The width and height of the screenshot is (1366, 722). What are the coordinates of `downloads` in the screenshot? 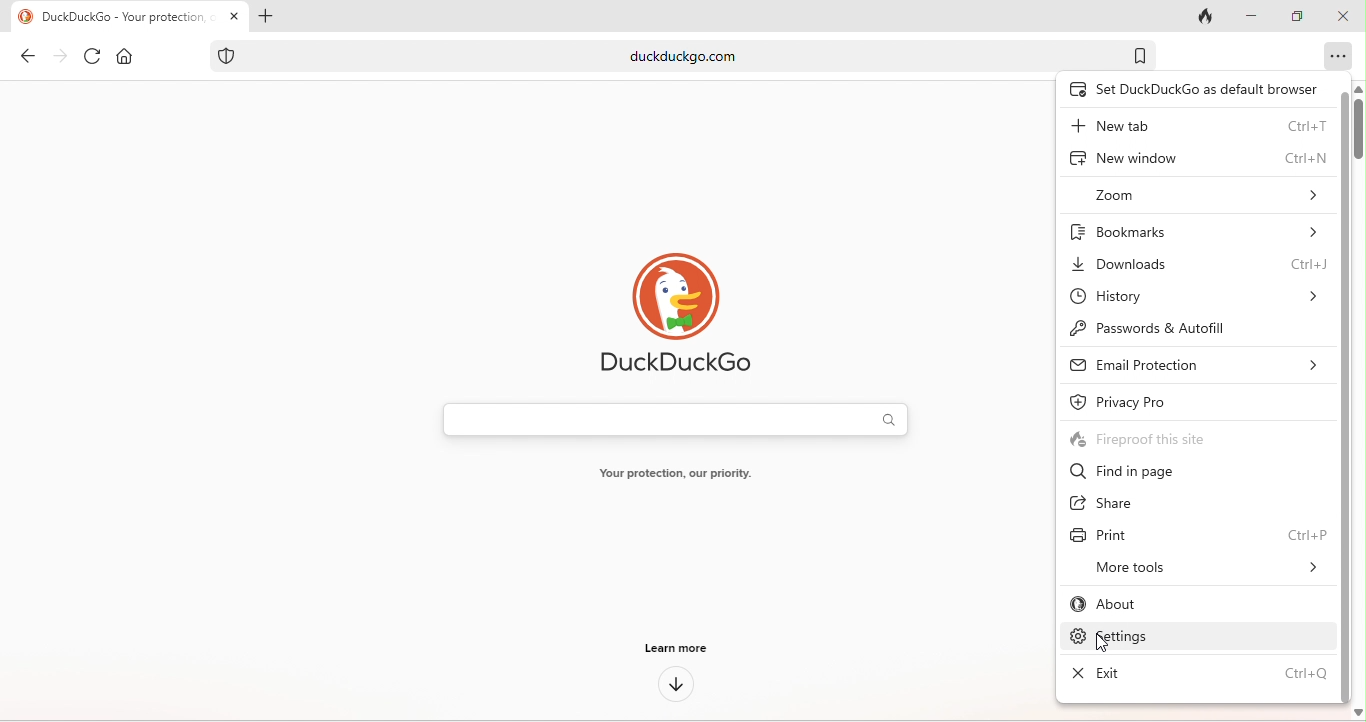 It's located at (1201, 264).